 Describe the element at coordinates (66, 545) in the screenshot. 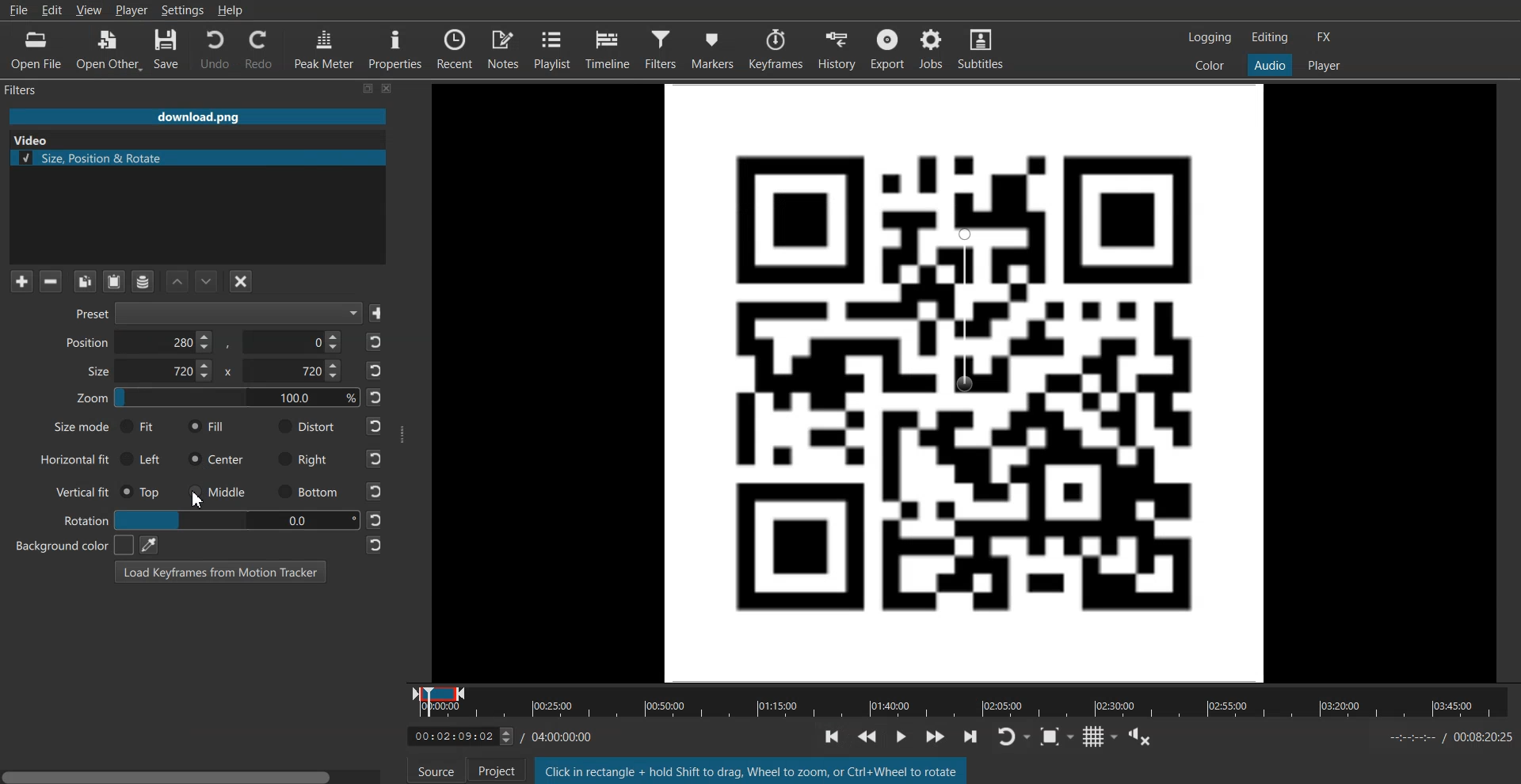

I see `Background color` at that location.